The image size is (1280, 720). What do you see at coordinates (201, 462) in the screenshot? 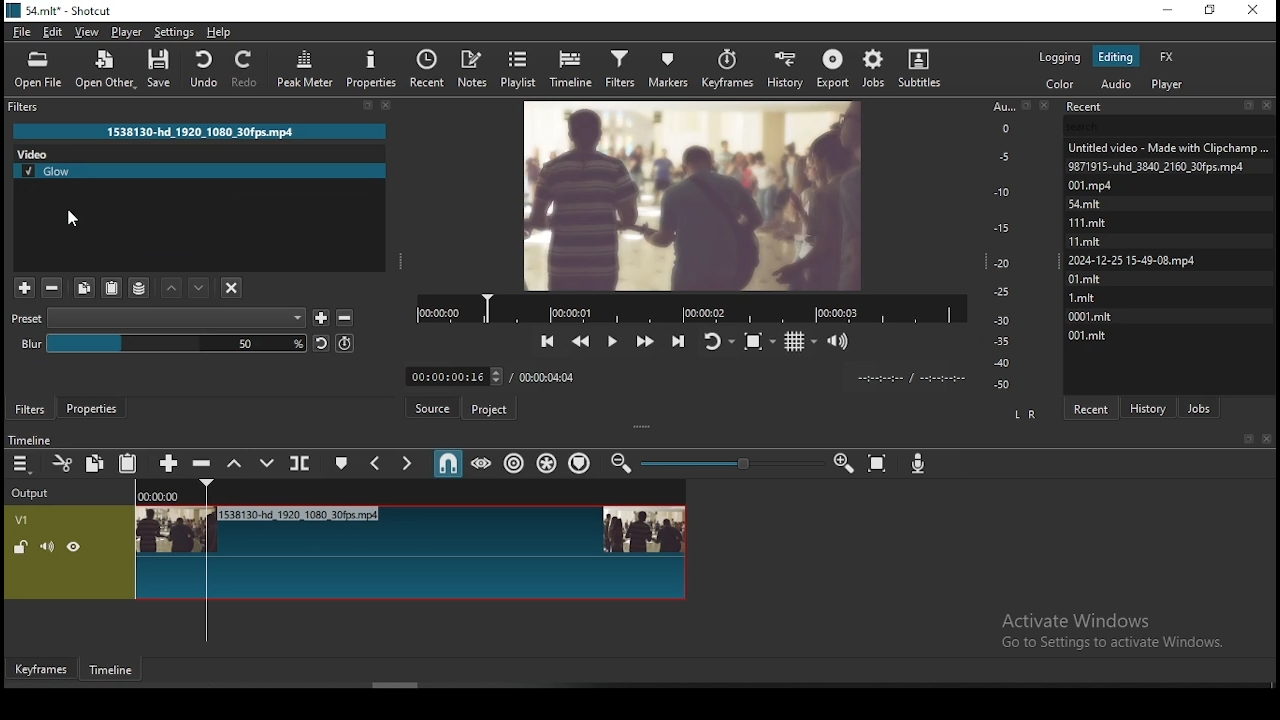
I see `ripple delete` at bounding box center [201, 462].